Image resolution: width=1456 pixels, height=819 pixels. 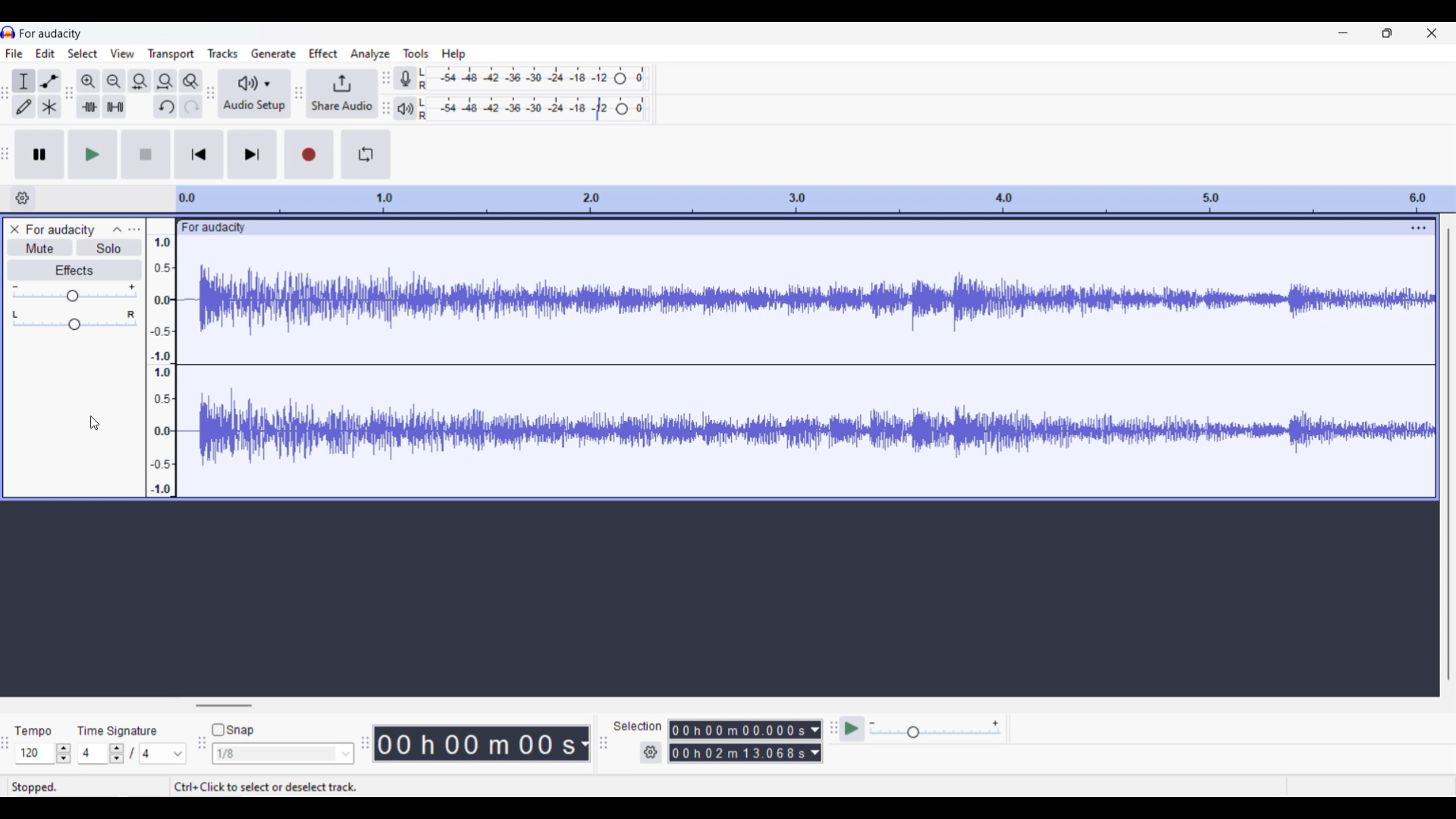 What do you see at coordinates (738, 752) in the screenshot?
I see `00 h 02 m 13.068 s` at bounding box center [738, 752].